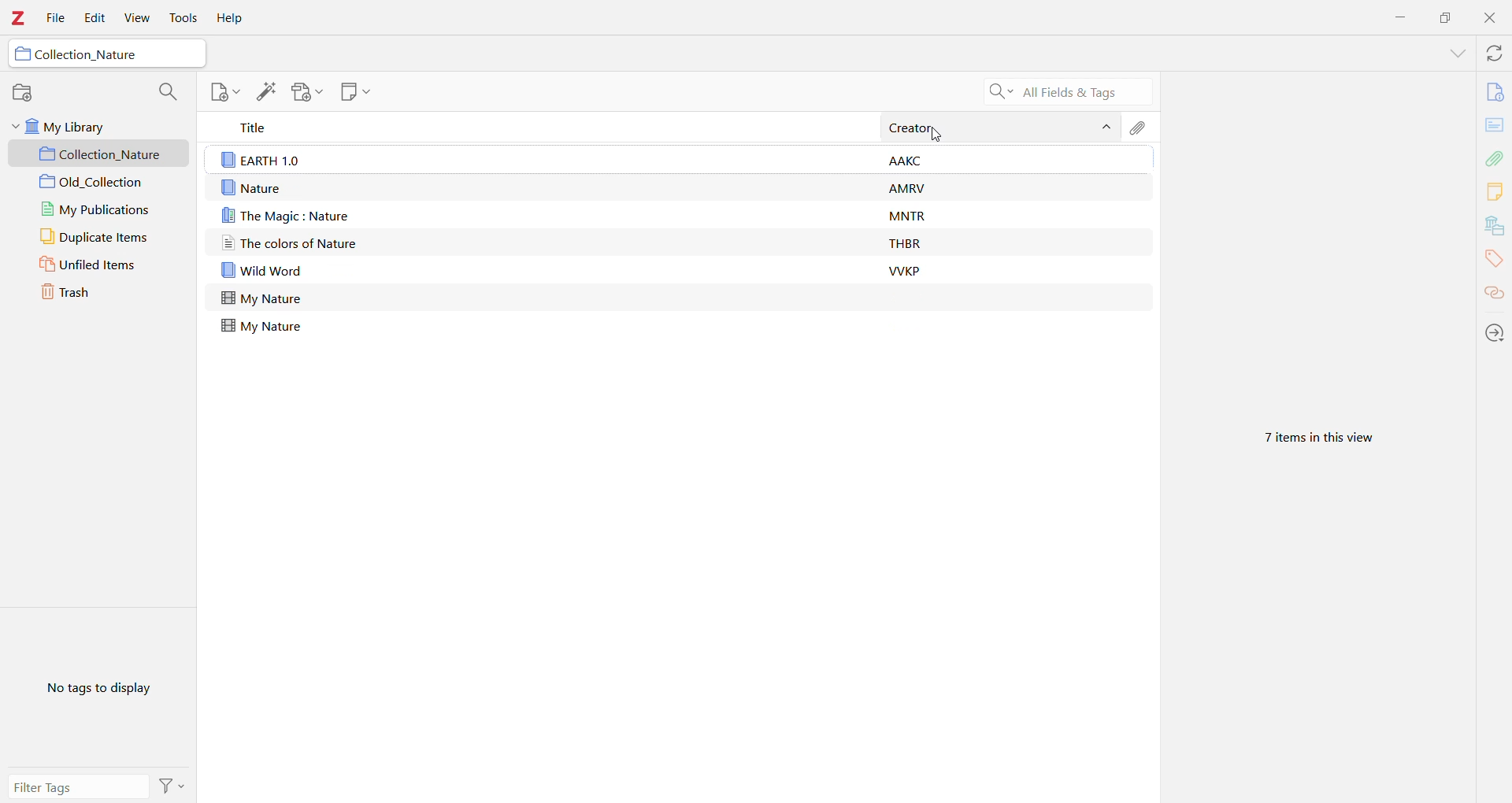 The height and width of the screenshot is (803, 1512). What do you see at coordinates (232, 20) in the screenshot?
I see `Help` at bounding box center [232, 20].